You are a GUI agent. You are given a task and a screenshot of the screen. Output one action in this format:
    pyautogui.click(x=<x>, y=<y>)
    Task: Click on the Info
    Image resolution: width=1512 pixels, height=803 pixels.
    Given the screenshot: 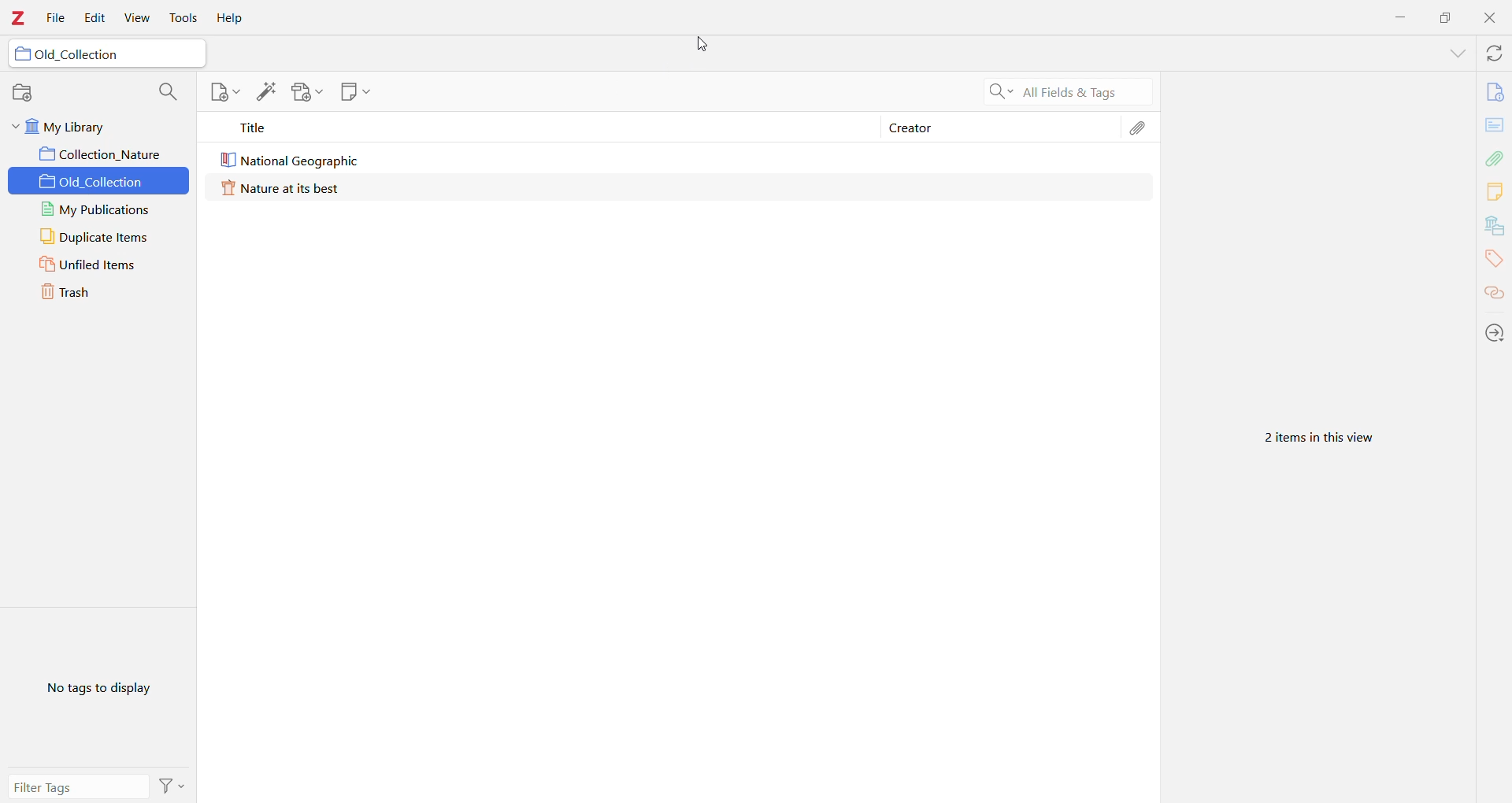 What is the action you would take?
    pyautogui.click(x=1495, y=94)
    